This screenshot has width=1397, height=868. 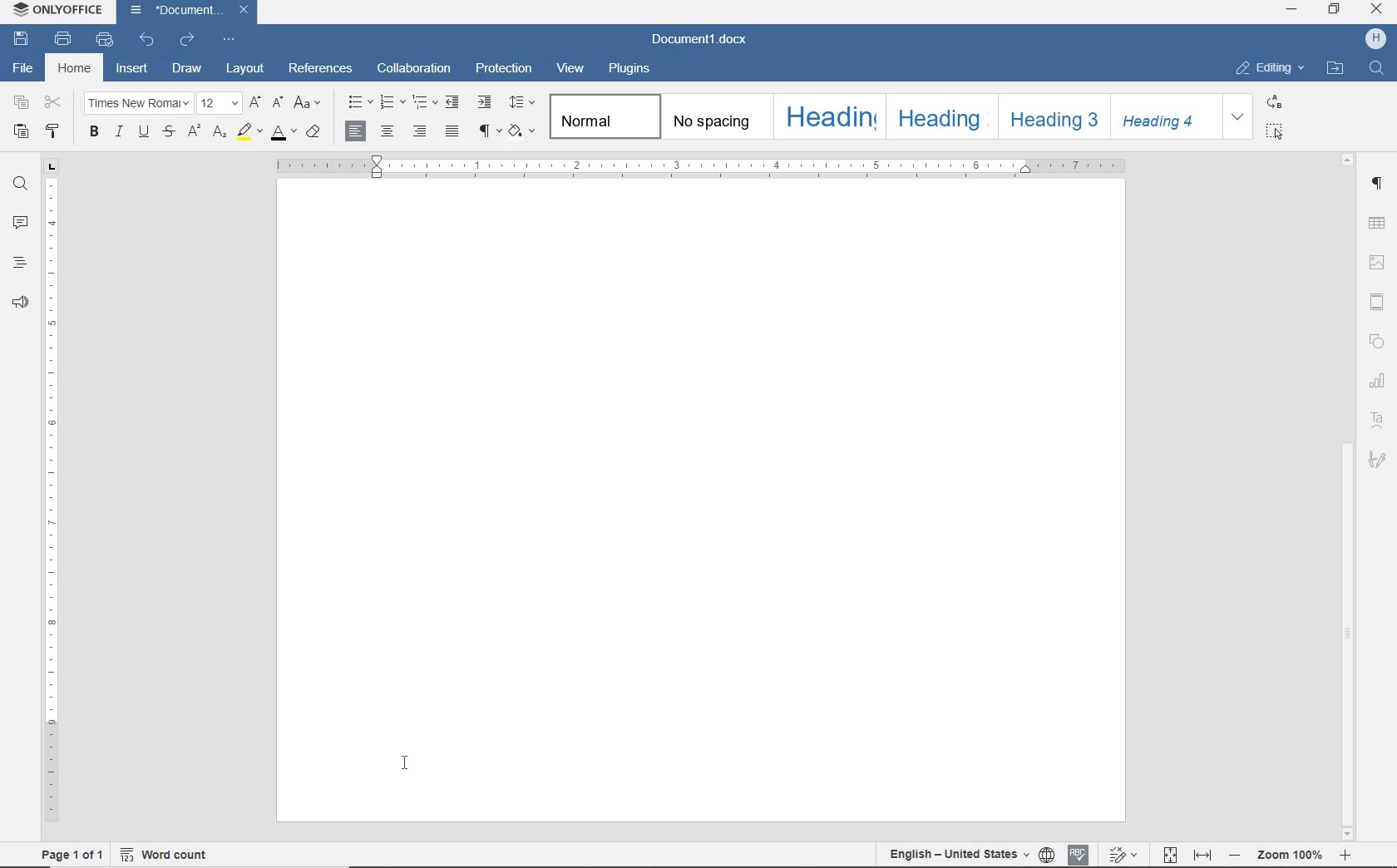 I want to click on NORMAL, so click(x=605, y=116).